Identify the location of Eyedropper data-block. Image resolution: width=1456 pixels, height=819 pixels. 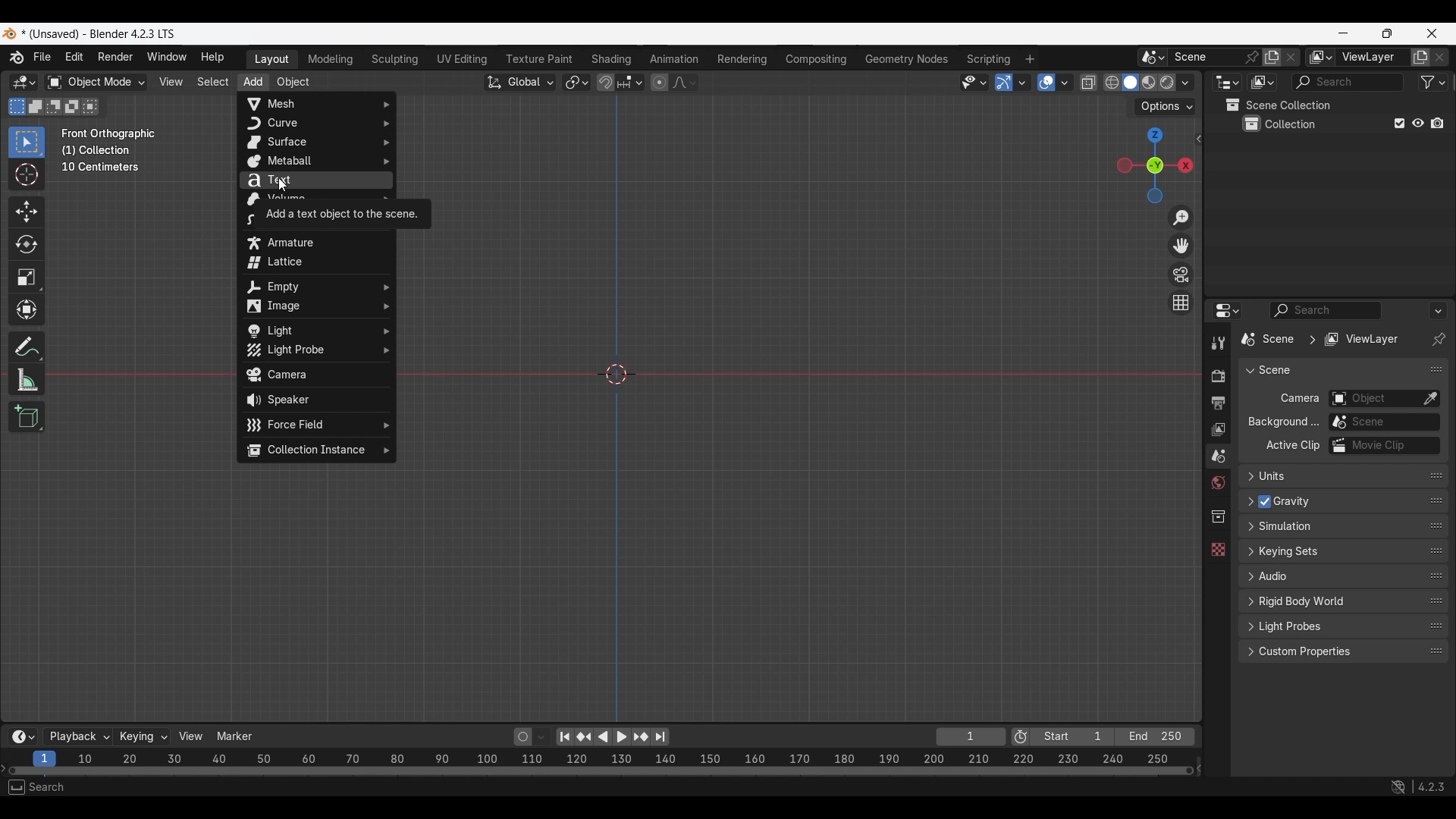
(1429, 399).